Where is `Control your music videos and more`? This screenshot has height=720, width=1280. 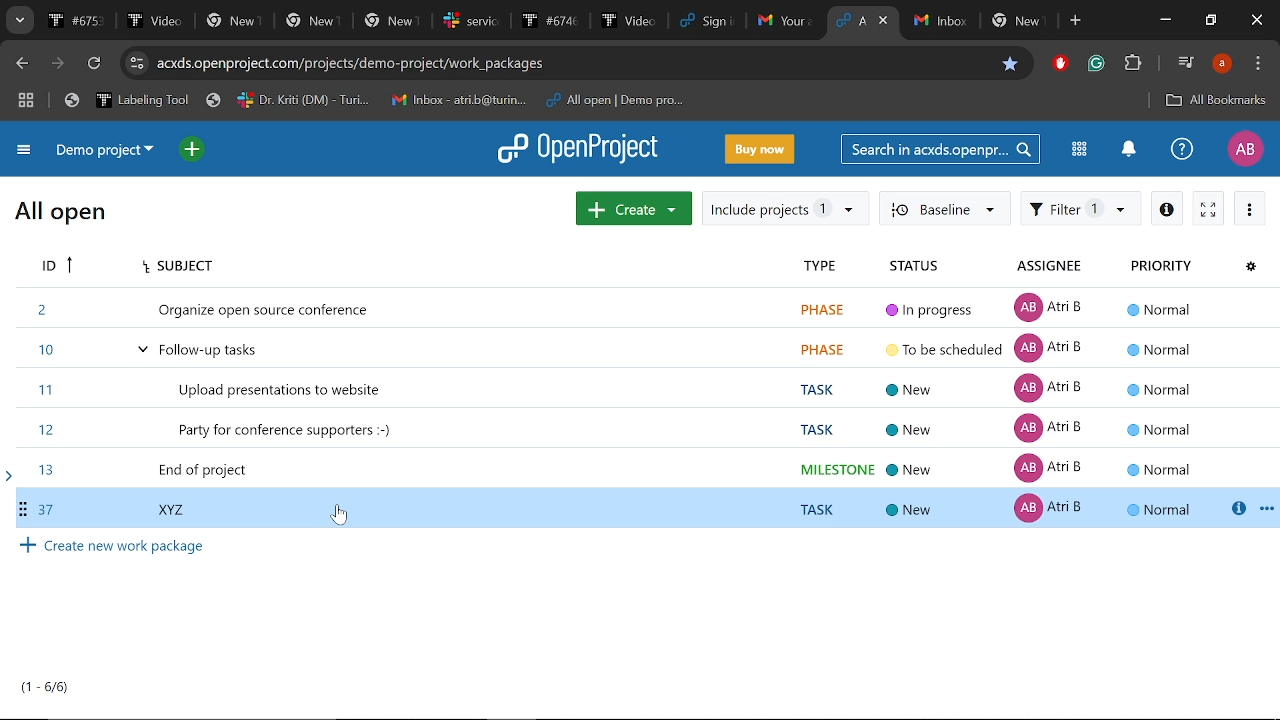
Control your music videos and more is located at coordinates (1186, 61).